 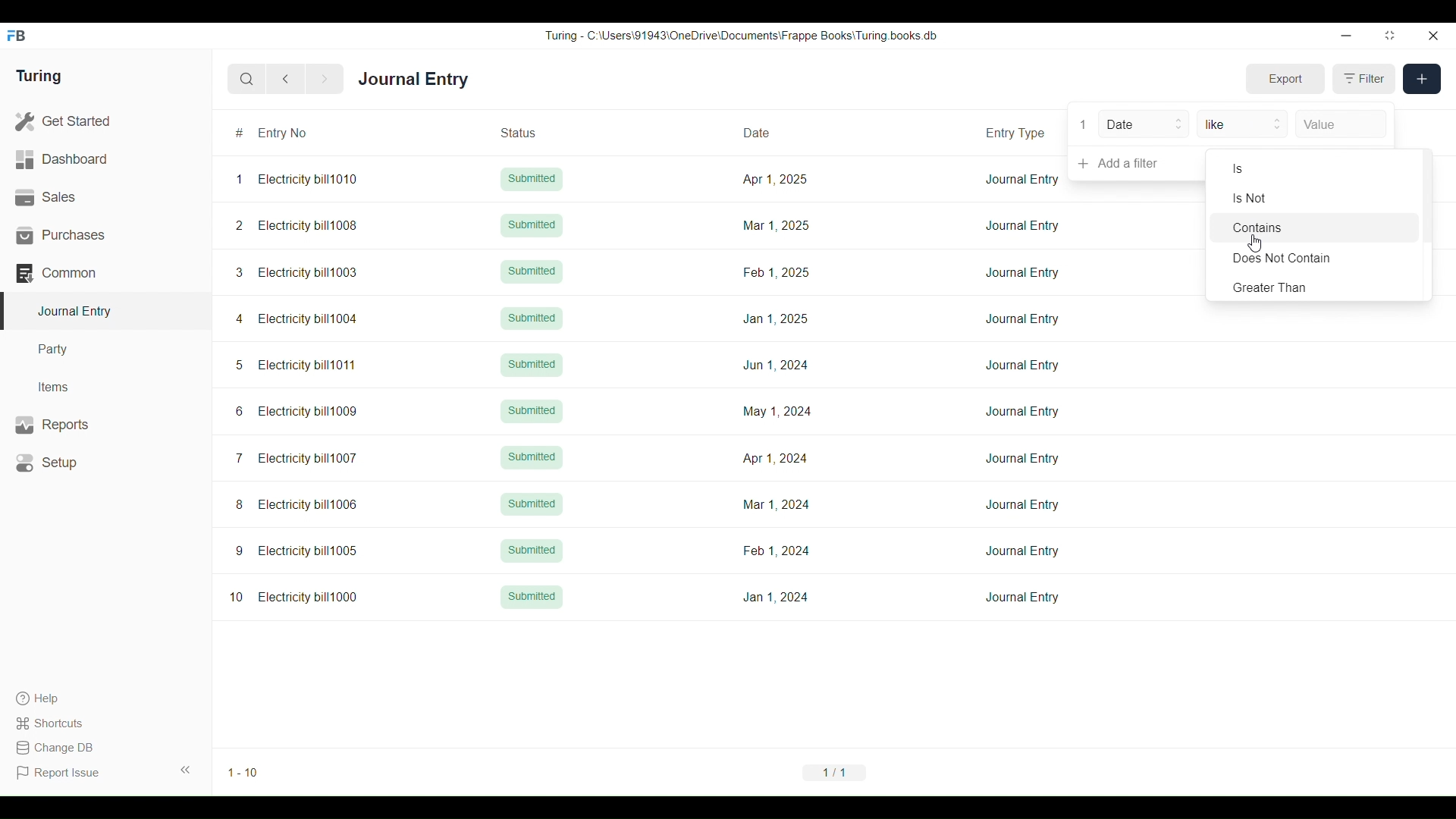 What do you see at coordinates (105, 350) in the screenshot?
I see `Party` at bounding box center [105, 350].